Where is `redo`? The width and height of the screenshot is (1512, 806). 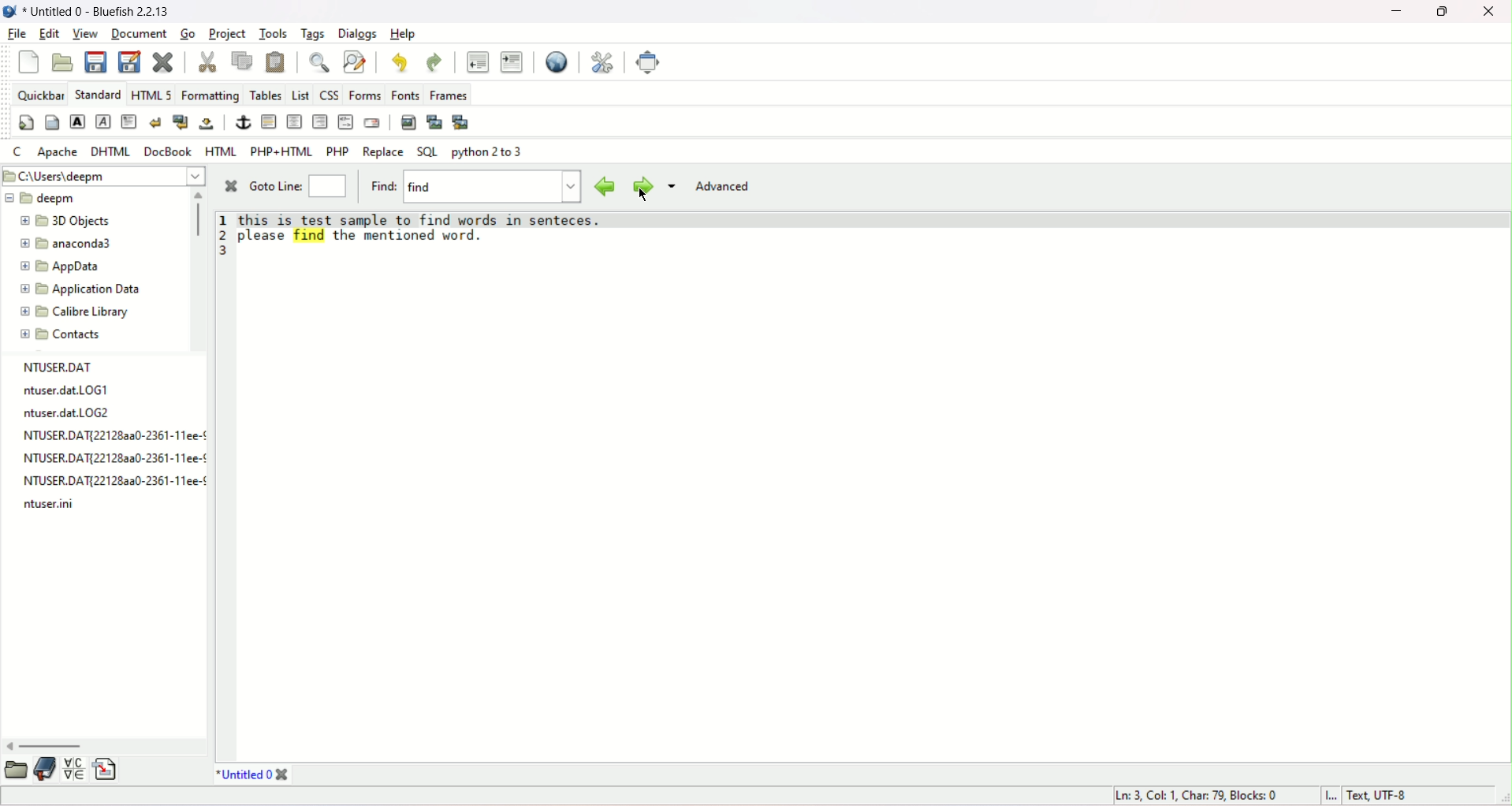
redo is located at coordinates (433, 64).